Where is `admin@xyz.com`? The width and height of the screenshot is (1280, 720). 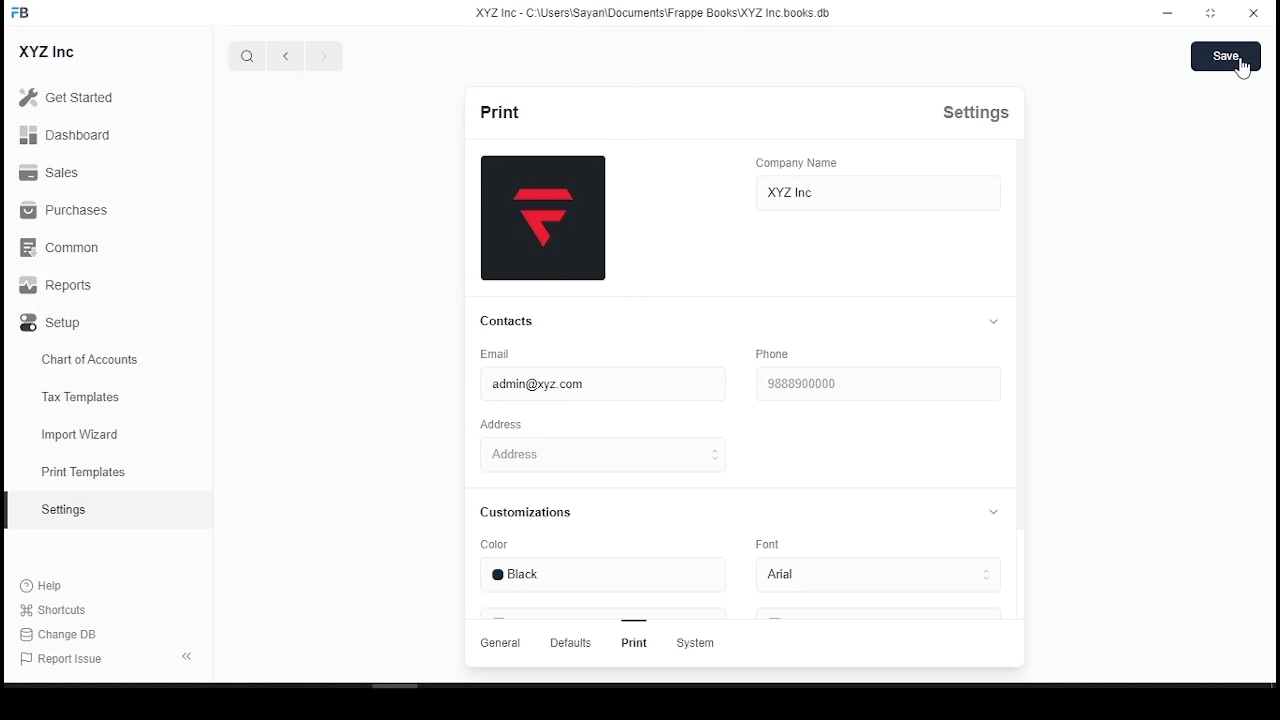
admin@xyz.com is located at coordinates (544, 385).